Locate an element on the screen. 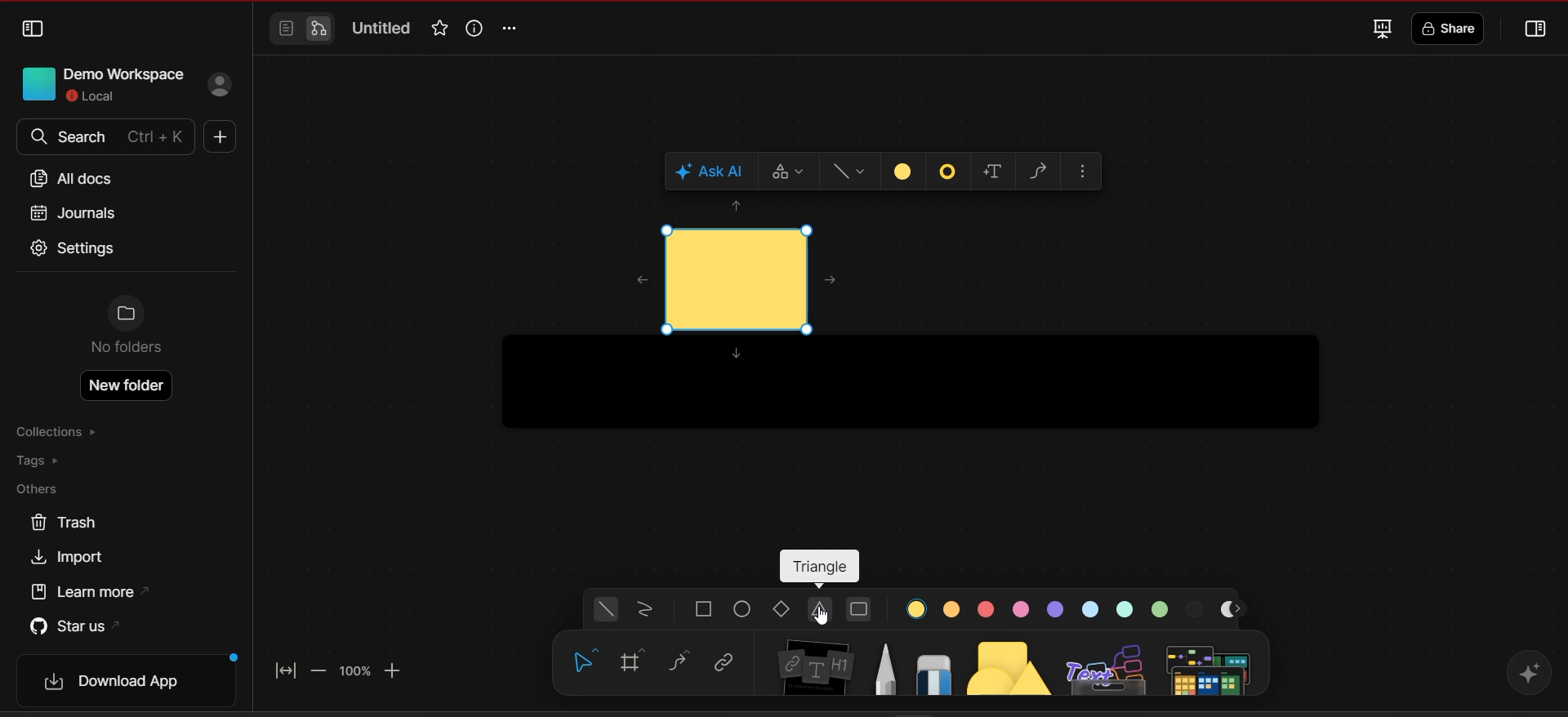 The width and height of the screenshot is (1568, 717). color 7 is located at coordinates (1126, 608).